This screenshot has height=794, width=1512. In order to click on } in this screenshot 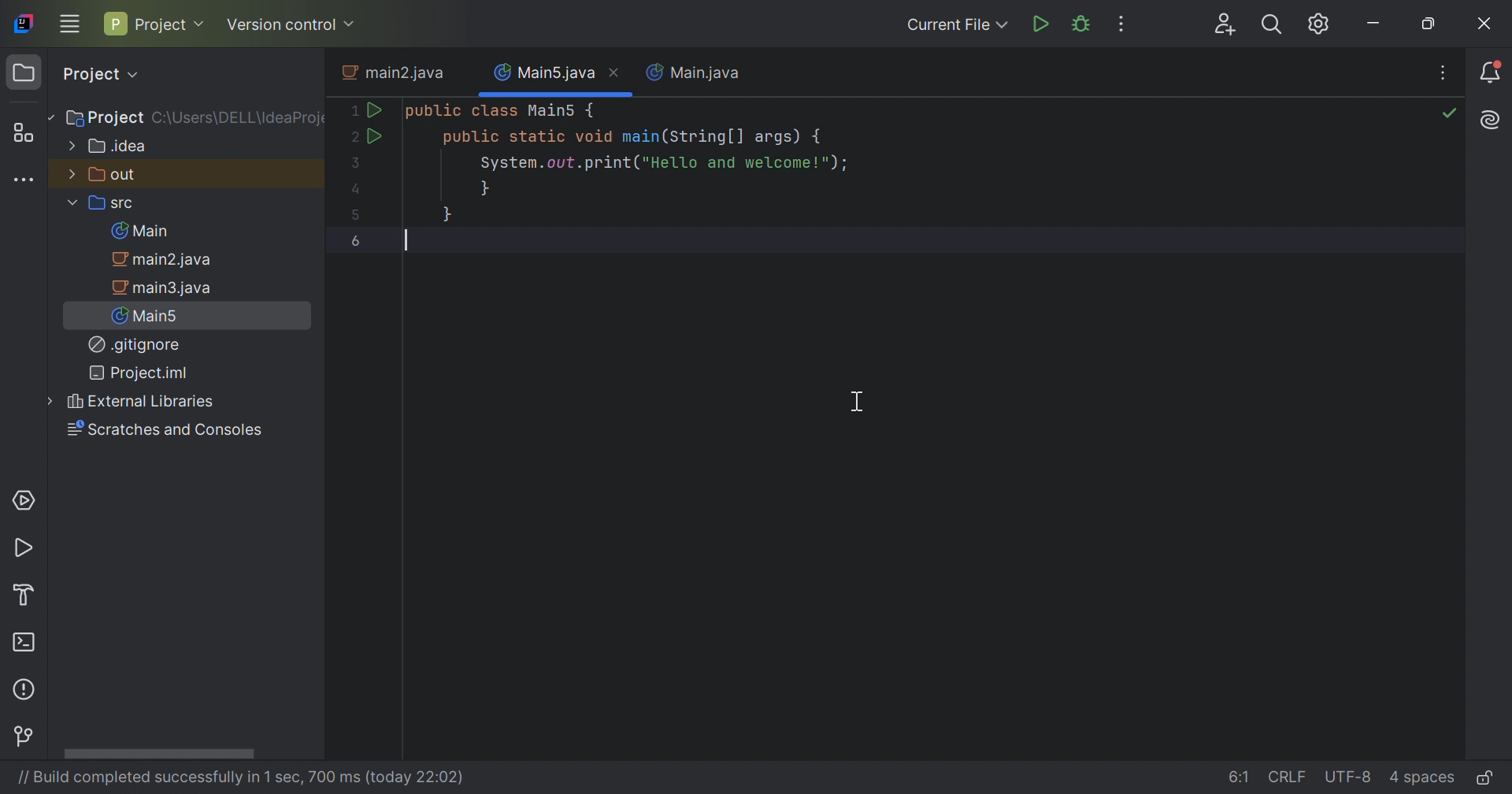, I will do `click(485, 189)`.